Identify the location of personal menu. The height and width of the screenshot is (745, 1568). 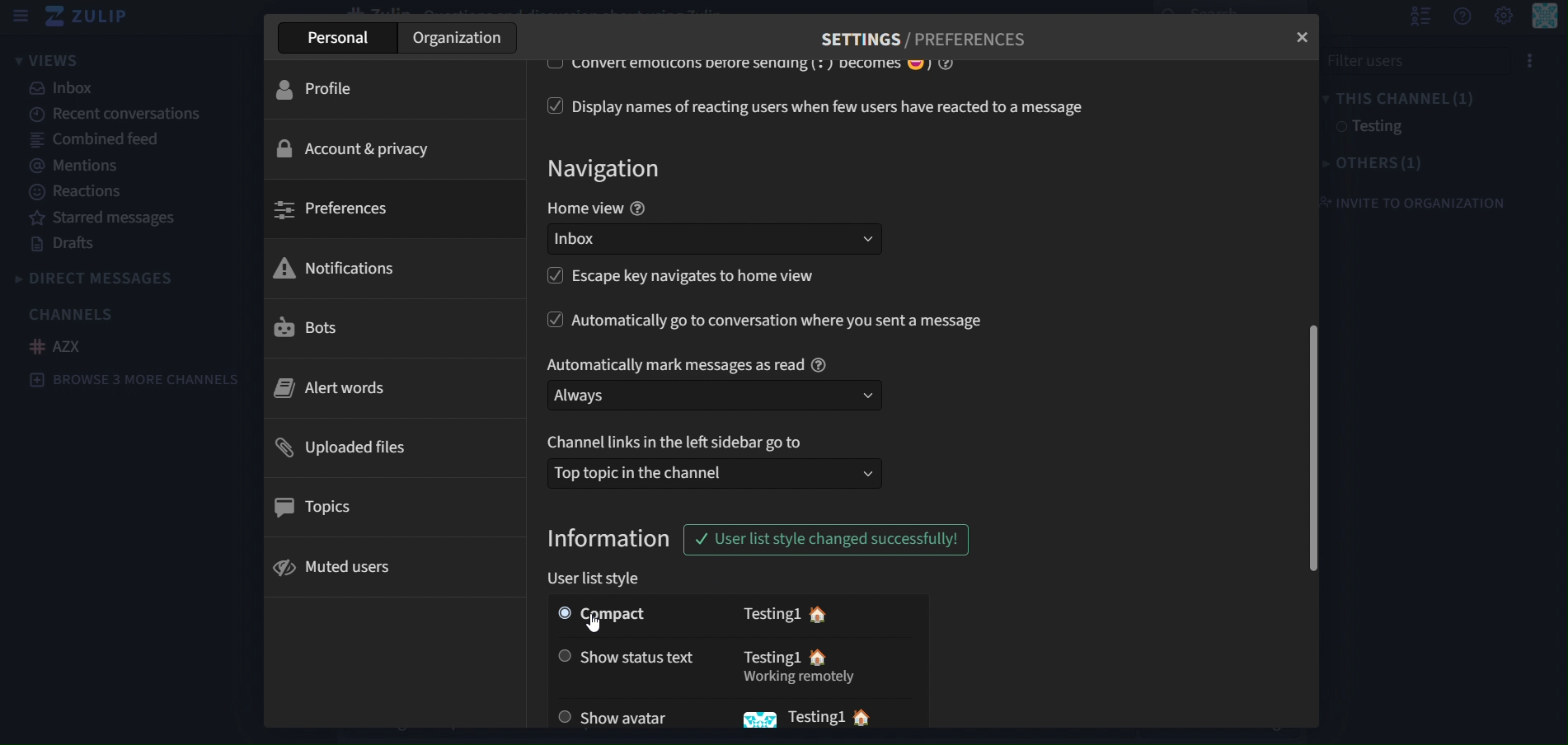
(1542, 21).